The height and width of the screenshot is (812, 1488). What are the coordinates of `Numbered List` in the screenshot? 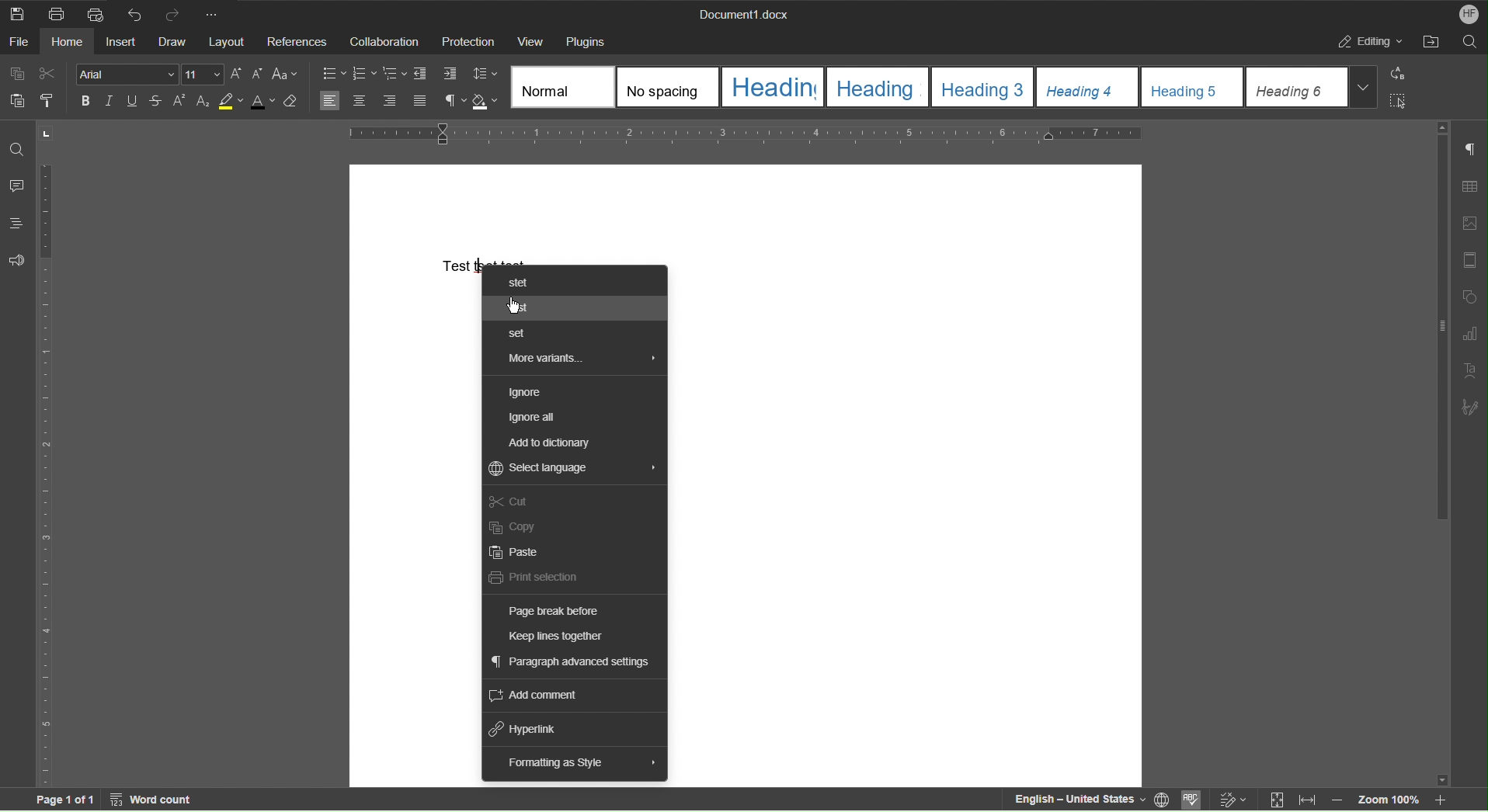 It's located at (363, 74).